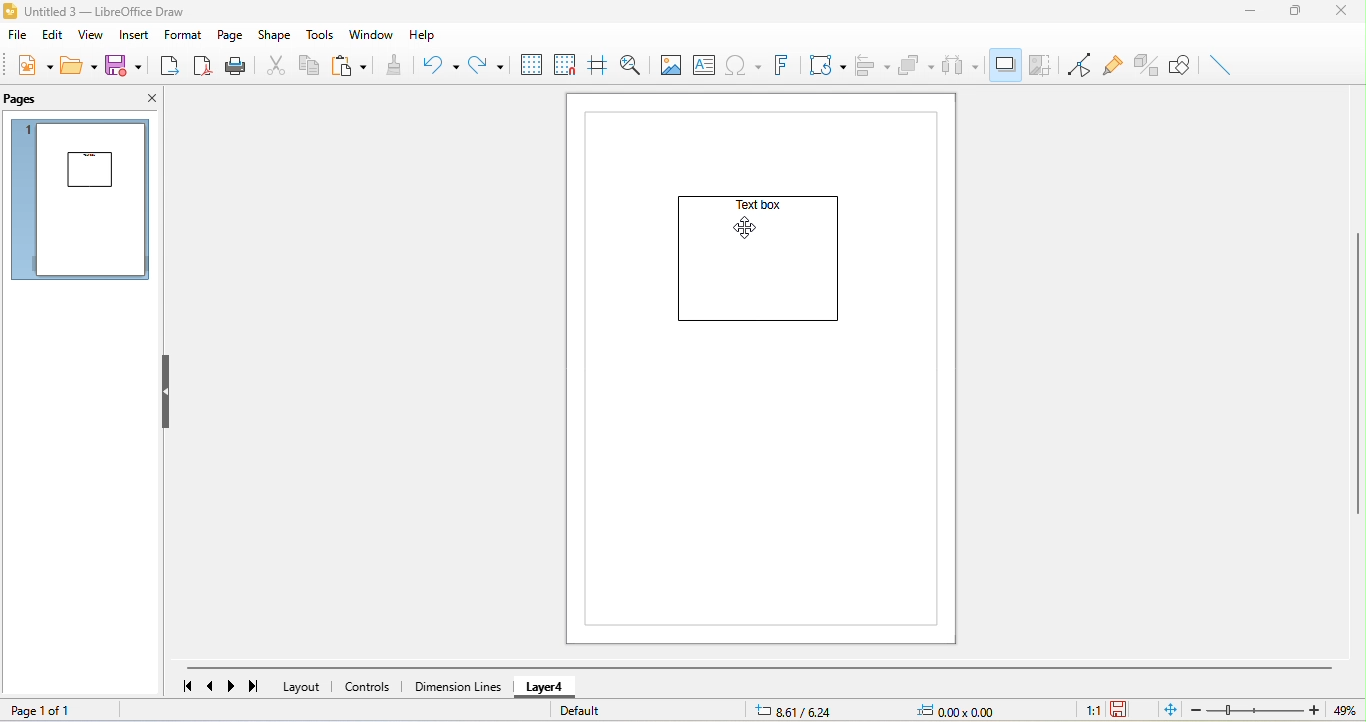  What do you see at coordinates (1084, 709) in the screenshot?
I see `1:1` at bounding box center [1084, 709].